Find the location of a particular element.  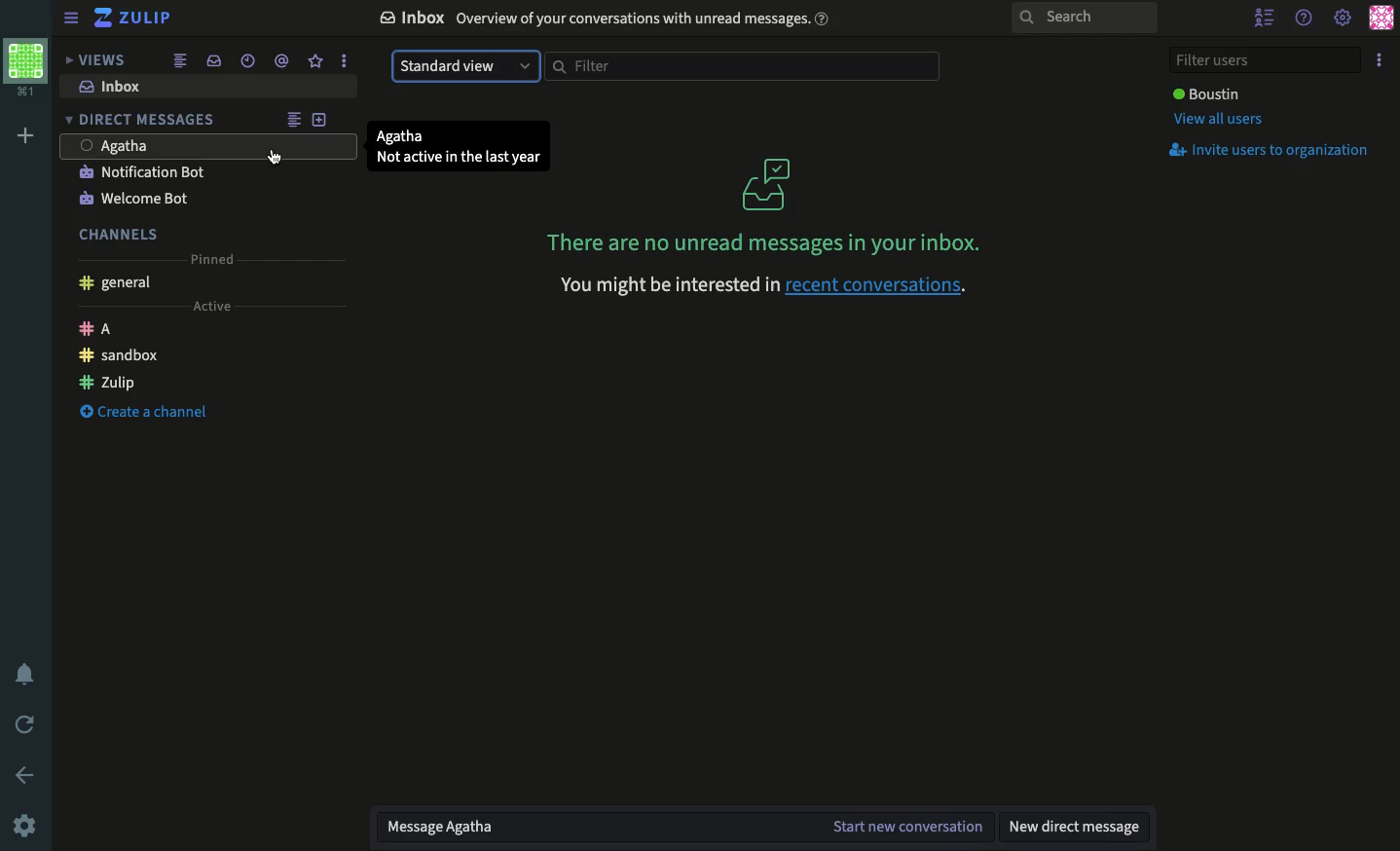

Go back is located at coordinates (26, 774).